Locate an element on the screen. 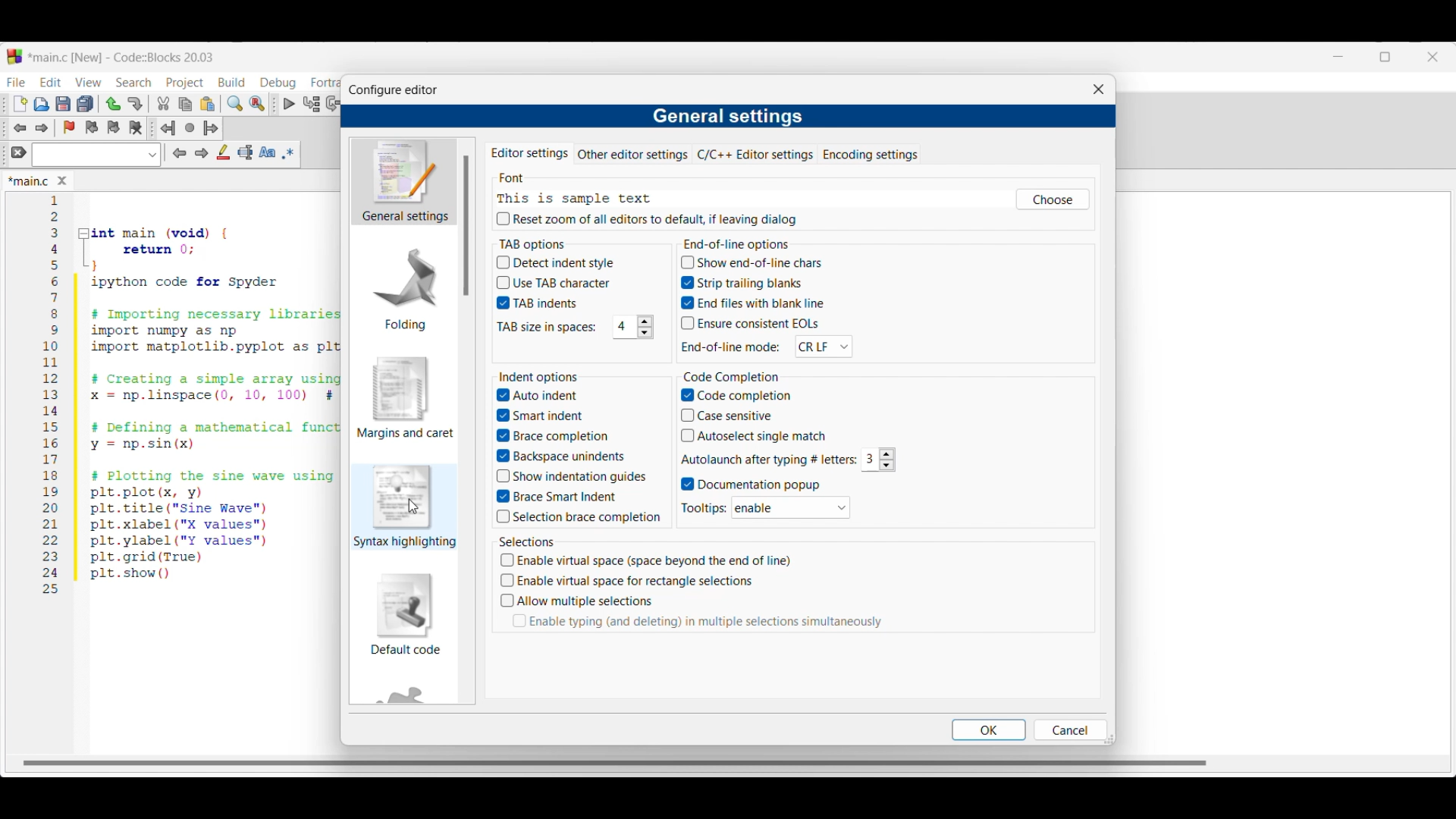 The width and height of the screenshot is (1456, 819). Indicates mode options is located at coordinates (730, 347).